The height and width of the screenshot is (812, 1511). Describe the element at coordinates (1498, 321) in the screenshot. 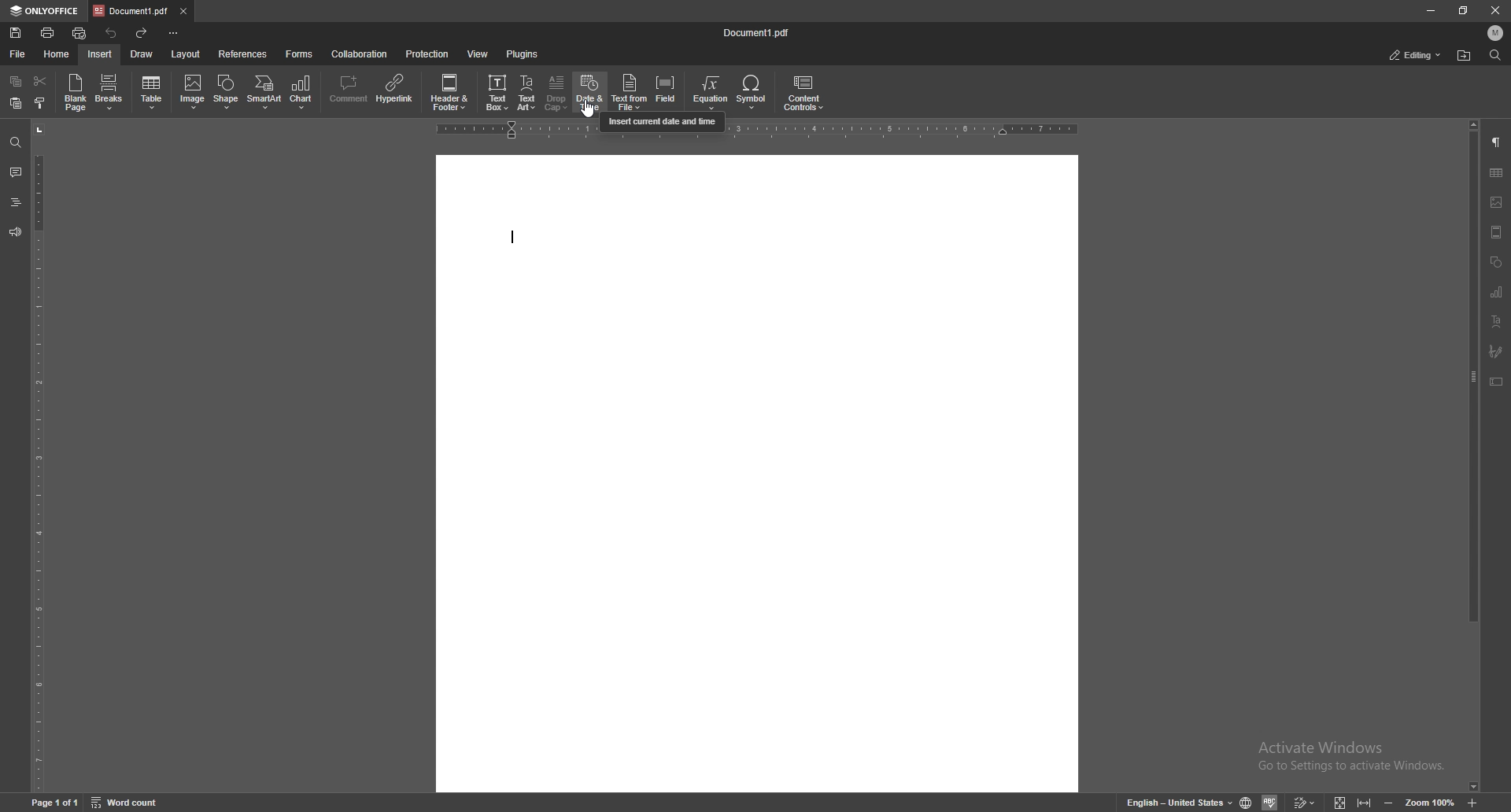

I see `text align` at that location.